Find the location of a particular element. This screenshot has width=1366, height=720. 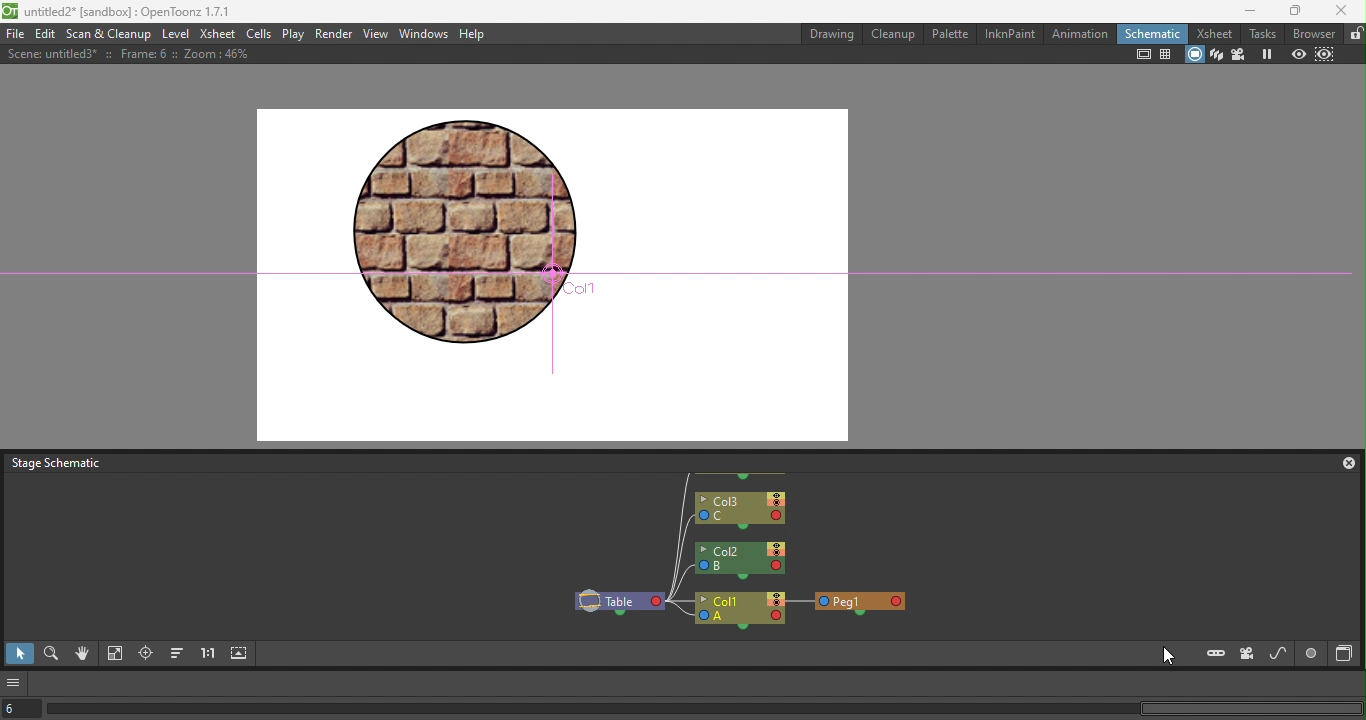

Animation is located at coordinates (1080, 34).